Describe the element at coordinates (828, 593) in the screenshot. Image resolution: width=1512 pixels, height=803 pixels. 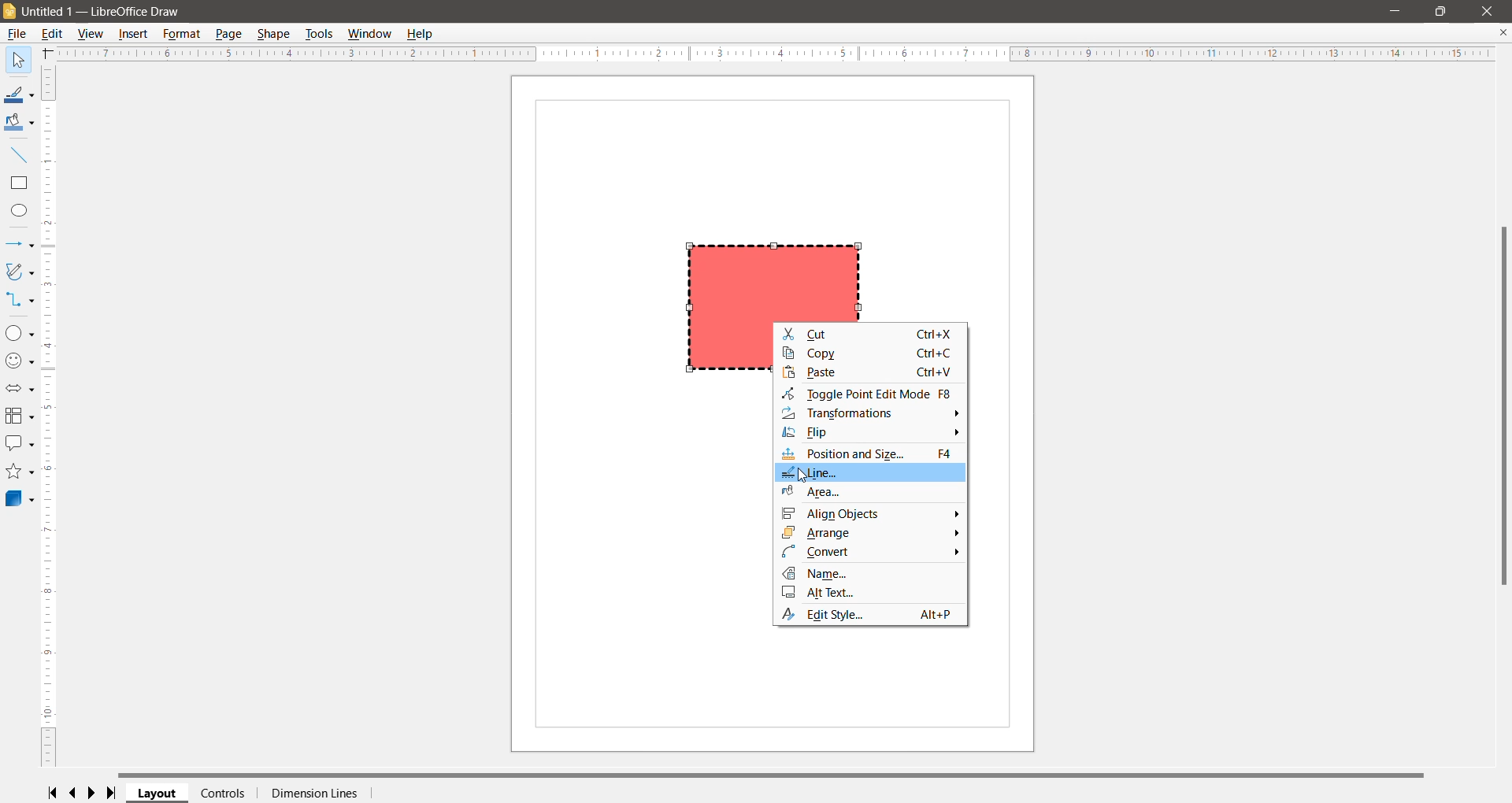
I see `Alt Text` at that location.